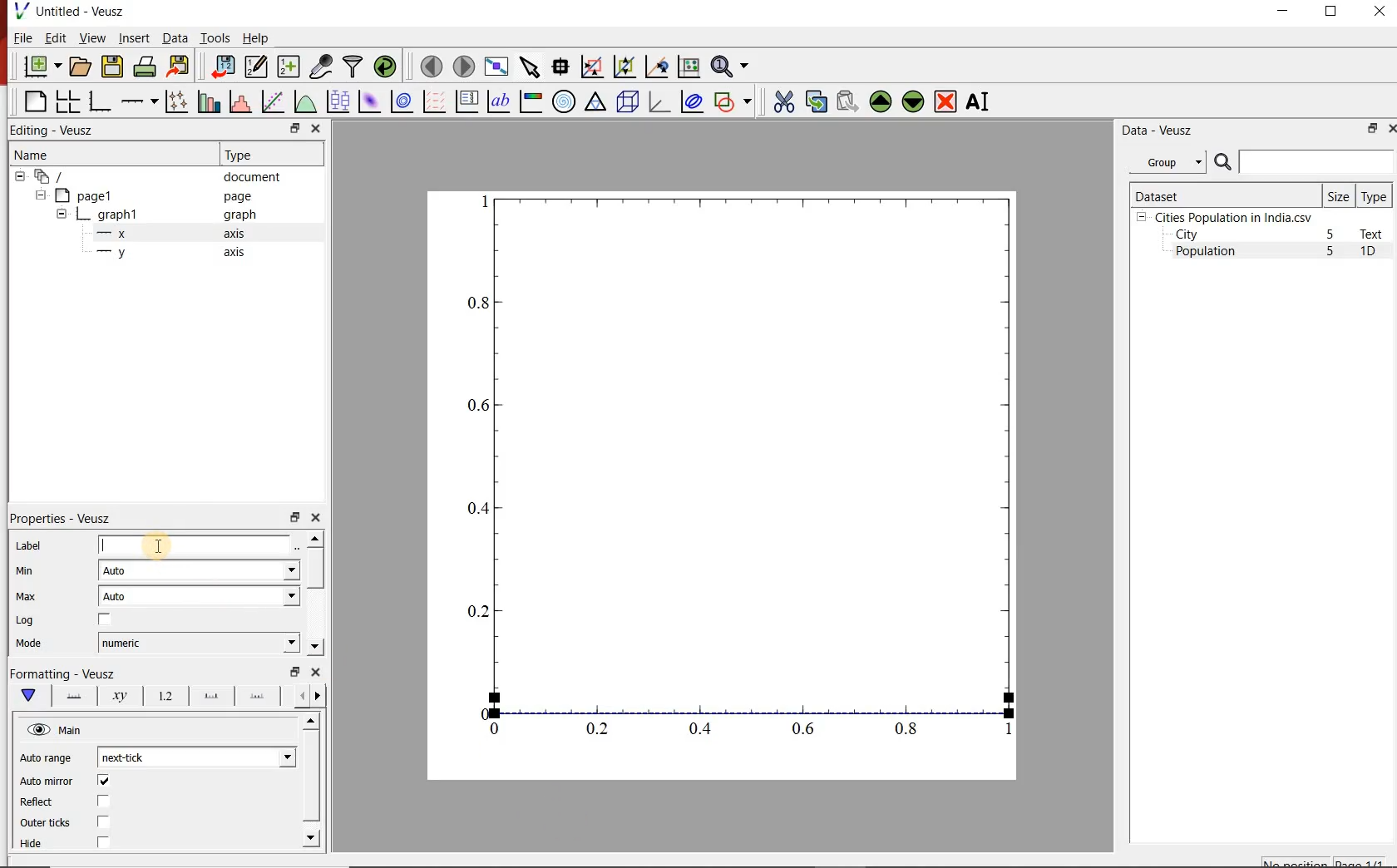 This screenshot has height=868, width=1397. Describe the element at coordinates (1331, 235) in the screenshot. I see `5` at that location.